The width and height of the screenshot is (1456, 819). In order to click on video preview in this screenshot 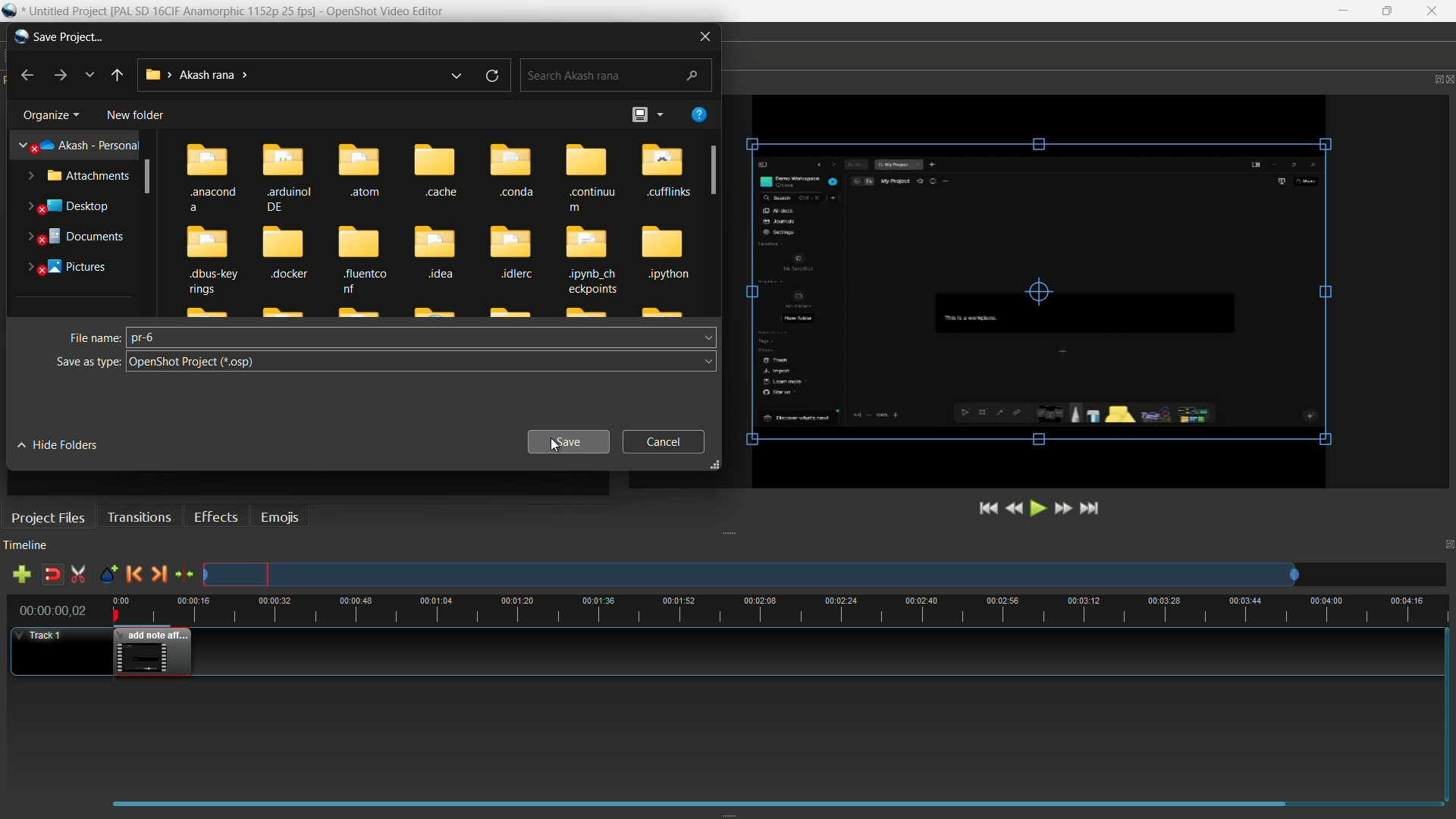, I will do `click(1037, 290)`.